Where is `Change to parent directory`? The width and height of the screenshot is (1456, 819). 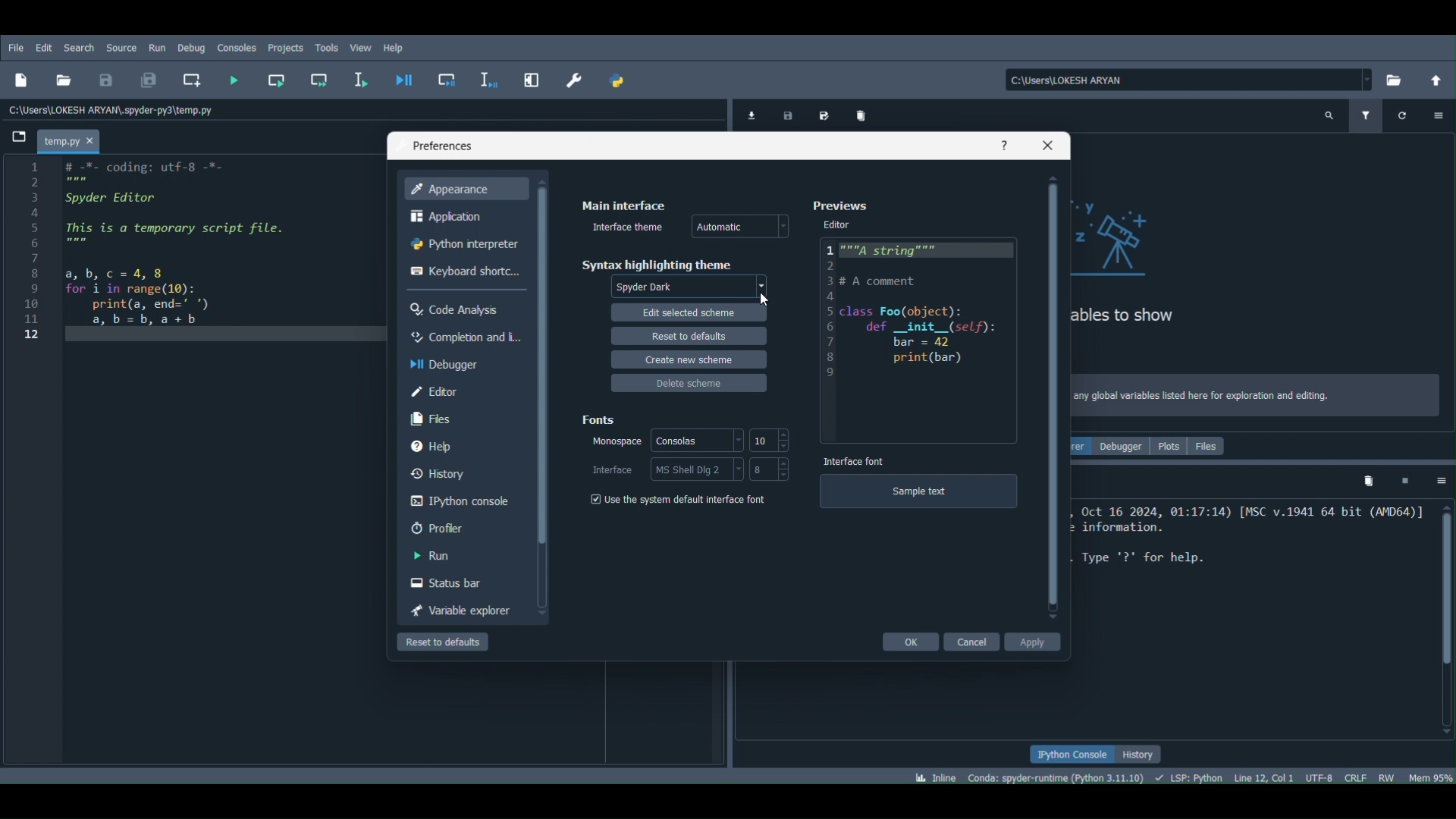 Change to parent directory is located at coordinates (1436, 78).